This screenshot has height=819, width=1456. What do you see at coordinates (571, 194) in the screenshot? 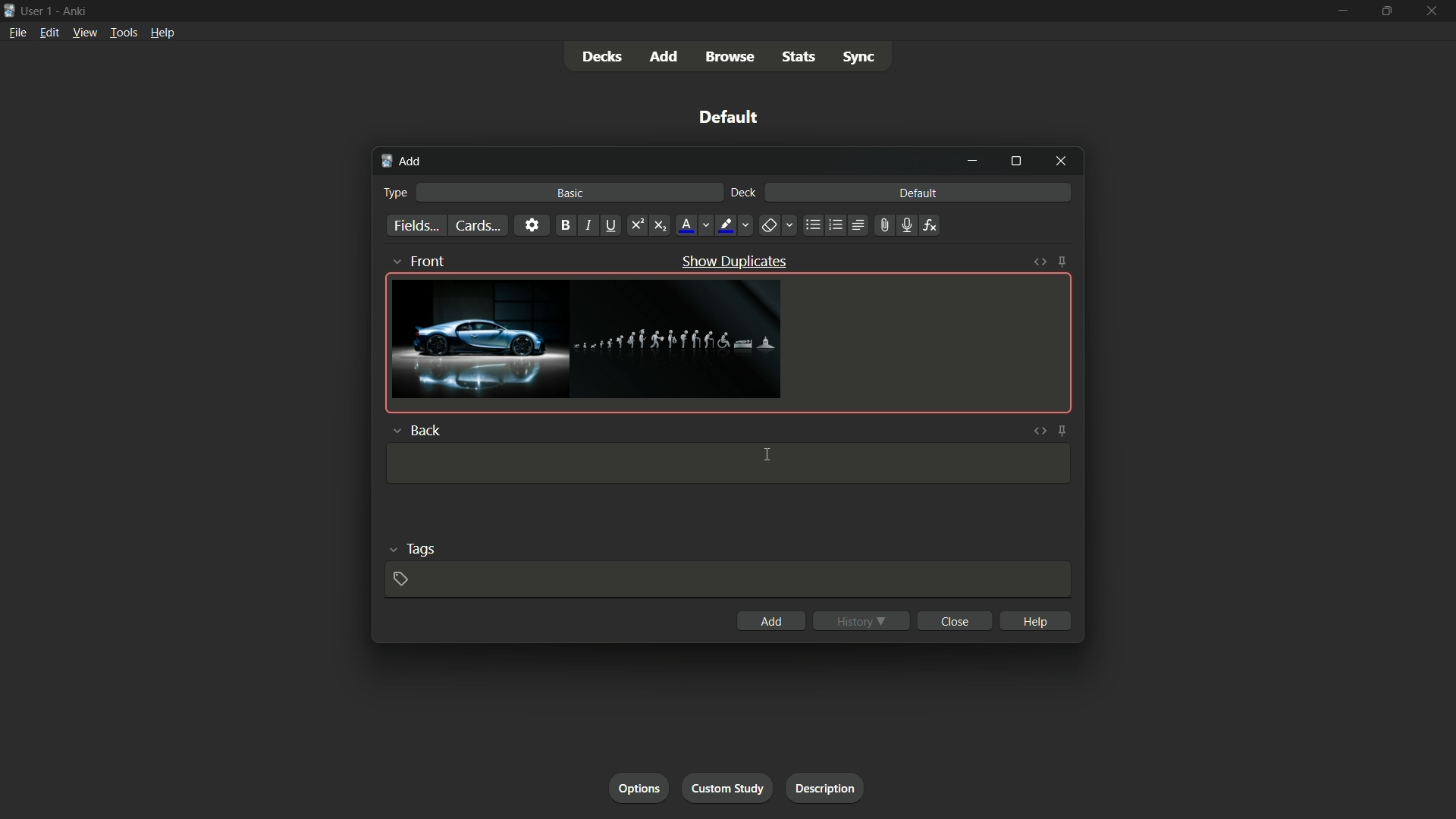
I see `basic` at bounding box center [571, 194].